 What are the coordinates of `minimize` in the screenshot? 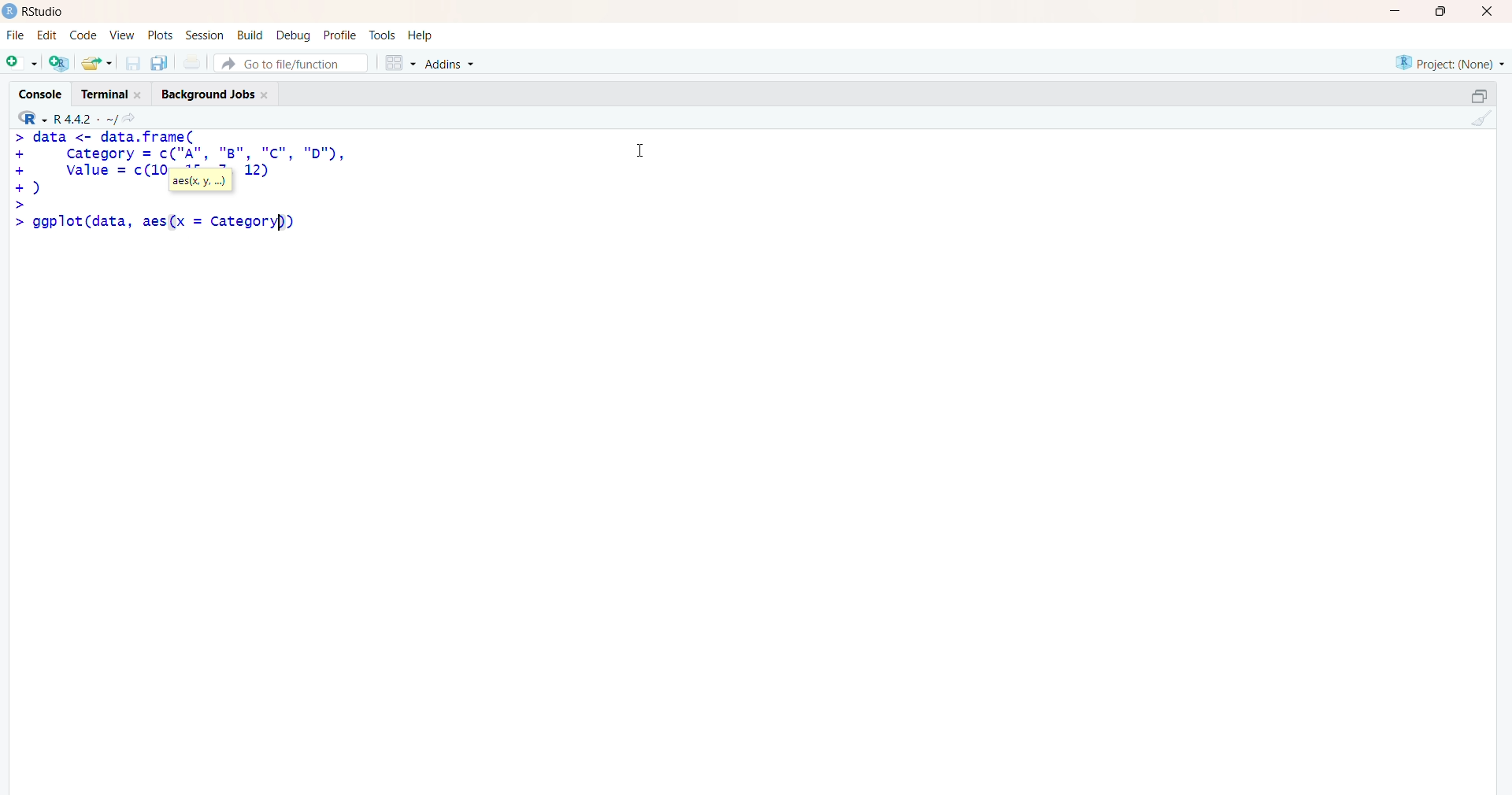 It's located at (1400, 11).